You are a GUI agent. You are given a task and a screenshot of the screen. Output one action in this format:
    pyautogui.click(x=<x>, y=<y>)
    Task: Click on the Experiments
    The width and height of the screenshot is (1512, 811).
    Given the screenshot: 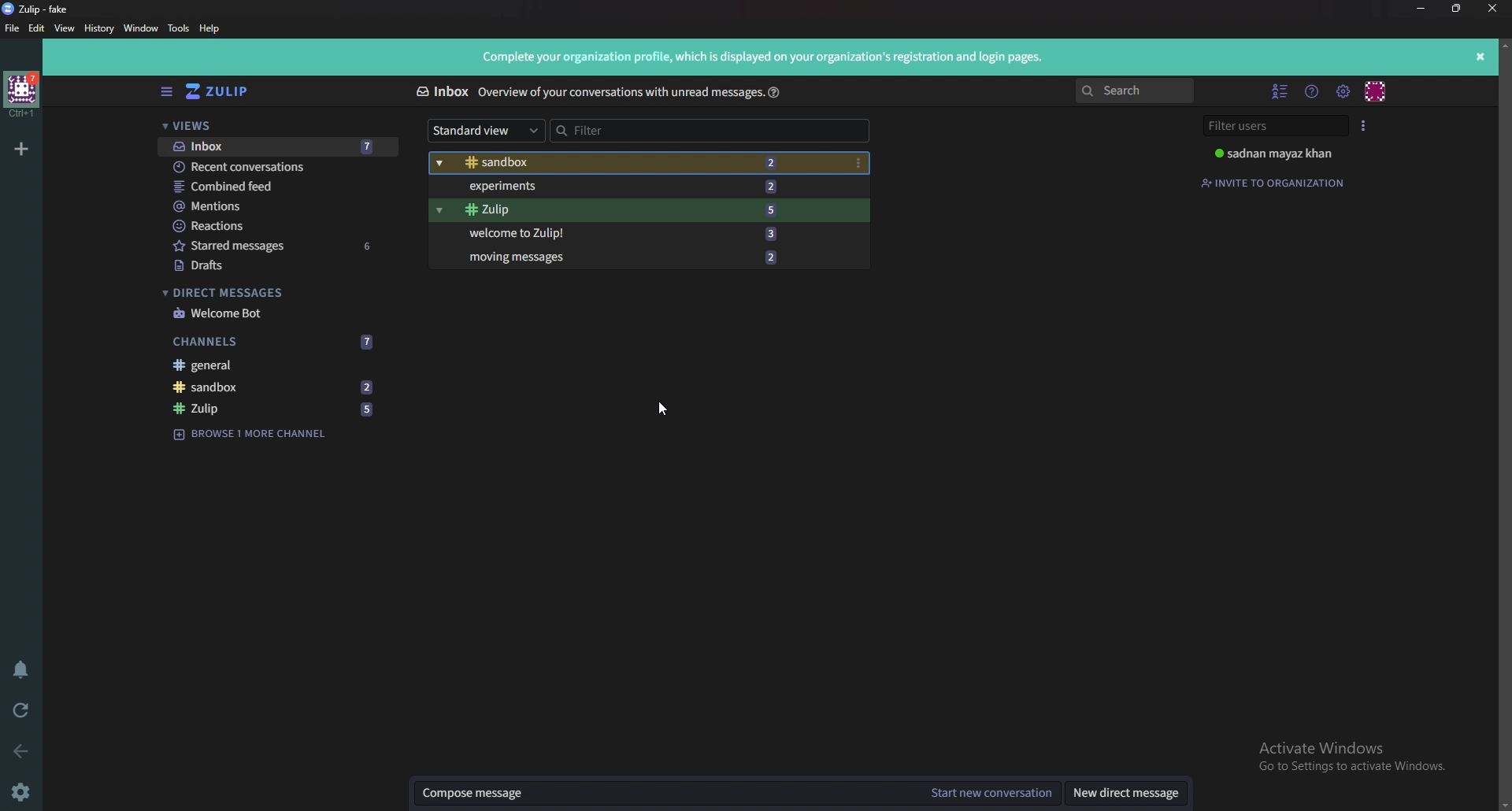 What is the action you would take?
    pyautogui.click(x=636, y=187)
    